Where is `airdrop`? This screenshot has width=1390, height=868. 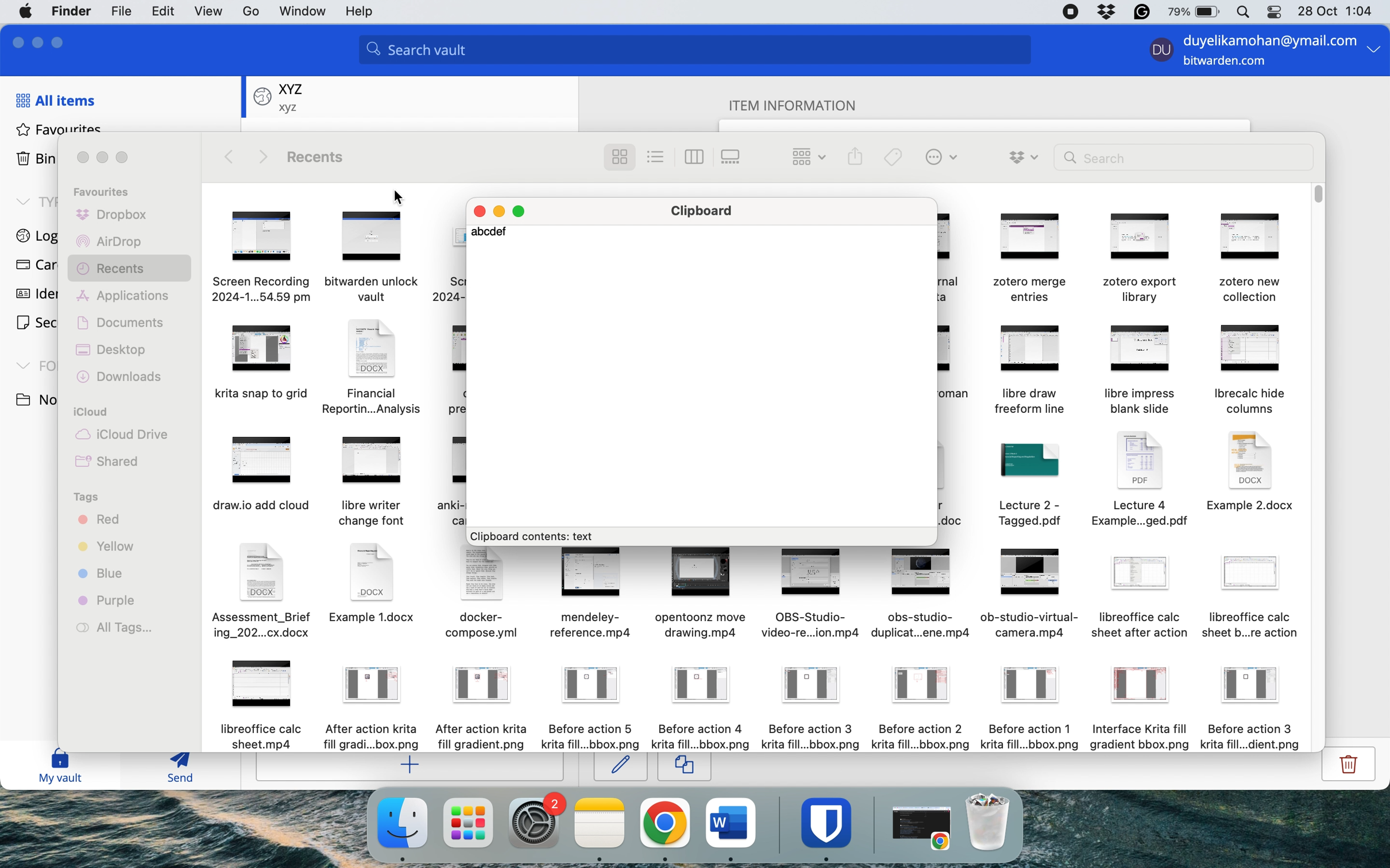
airdrop is located at coordinates (109, 243).